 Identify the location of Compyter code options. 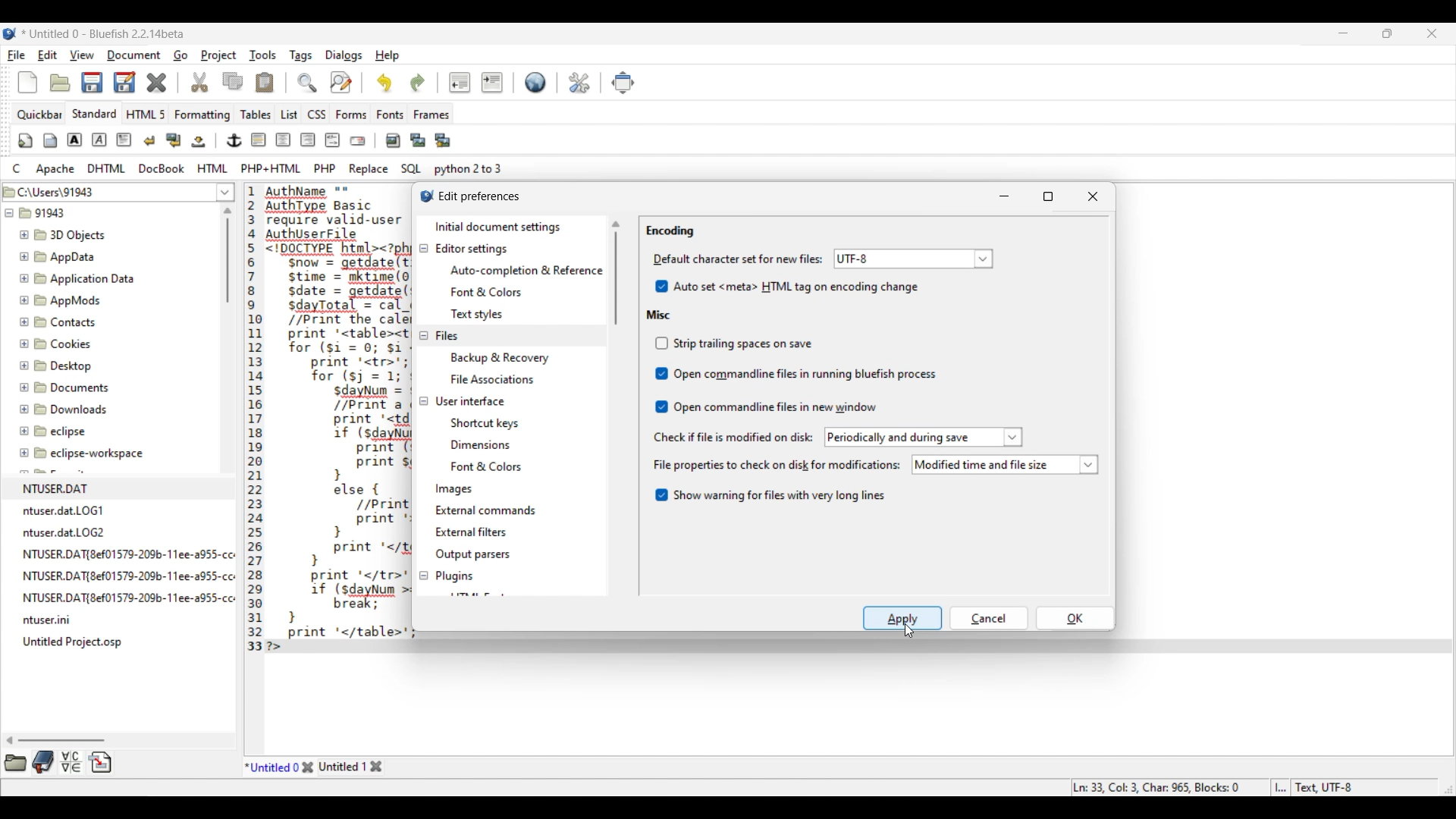
(257, 168).